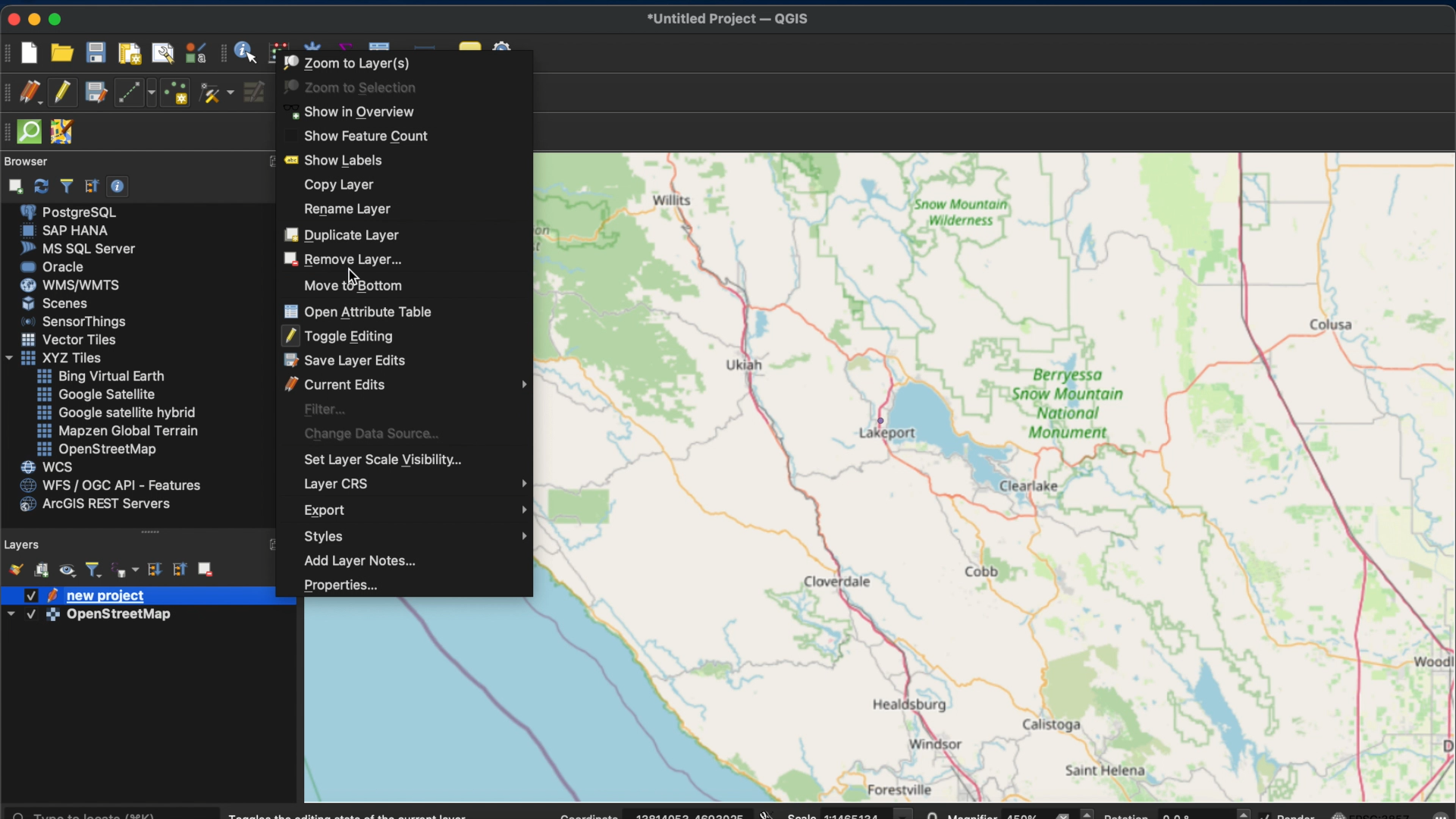 This screenshot has width=1456, height=819. I want to click on export menu, so click(418, 510).